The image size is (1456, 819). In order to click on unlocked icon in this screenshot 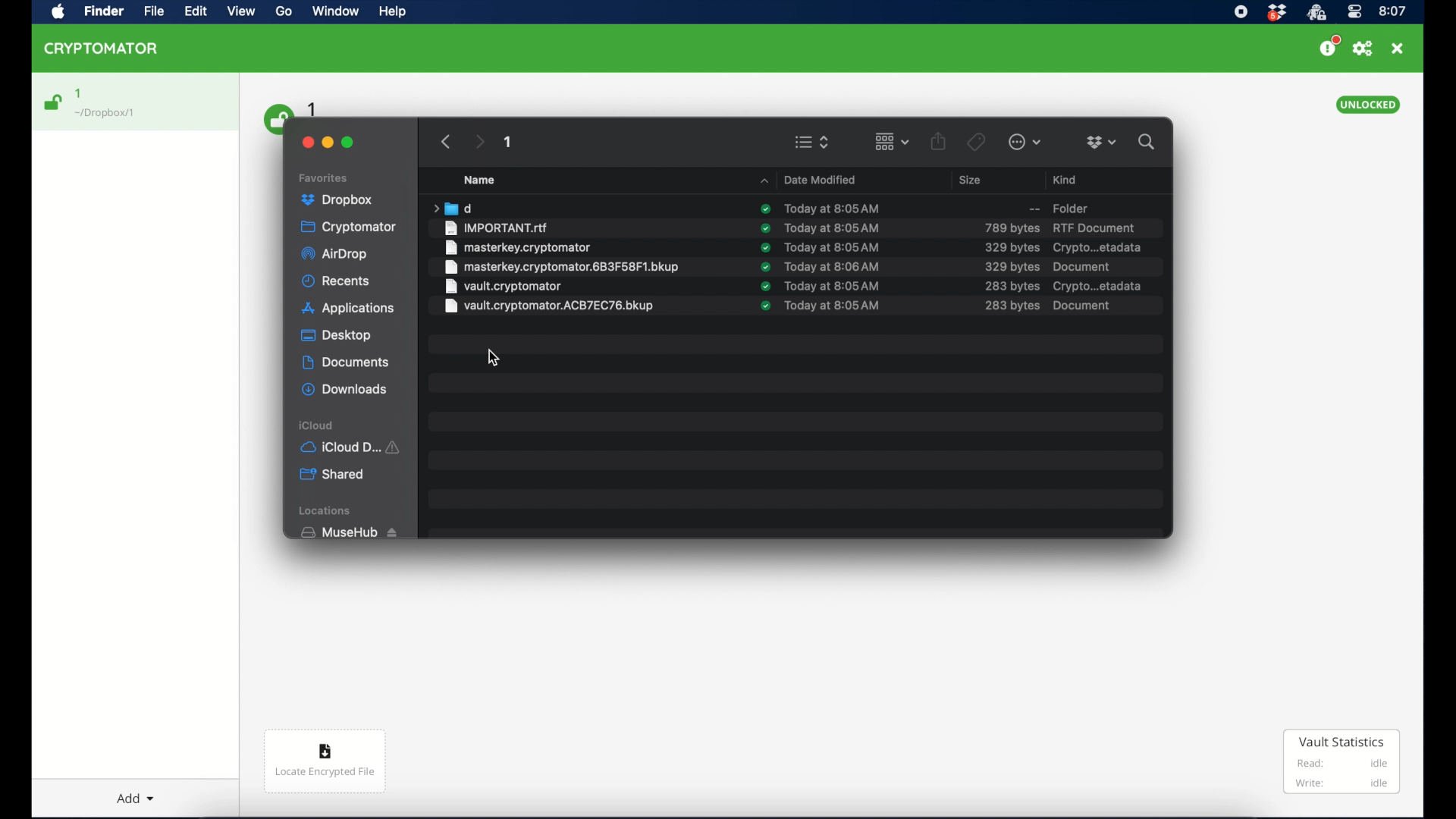, I will do `click(54, 102)`.